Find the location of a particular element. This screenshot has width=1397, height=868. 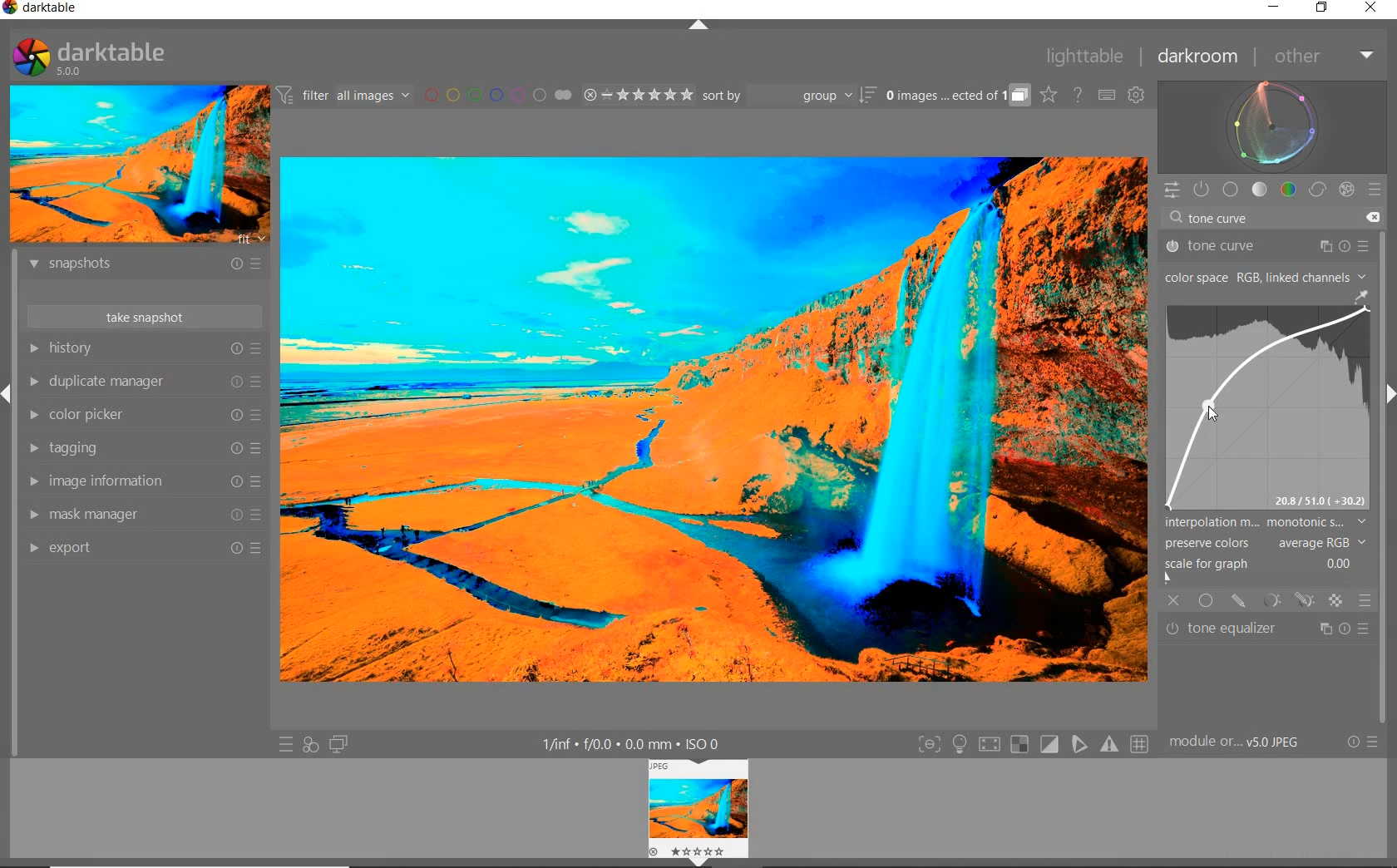

OFF is located at coordinates (1173, 601).